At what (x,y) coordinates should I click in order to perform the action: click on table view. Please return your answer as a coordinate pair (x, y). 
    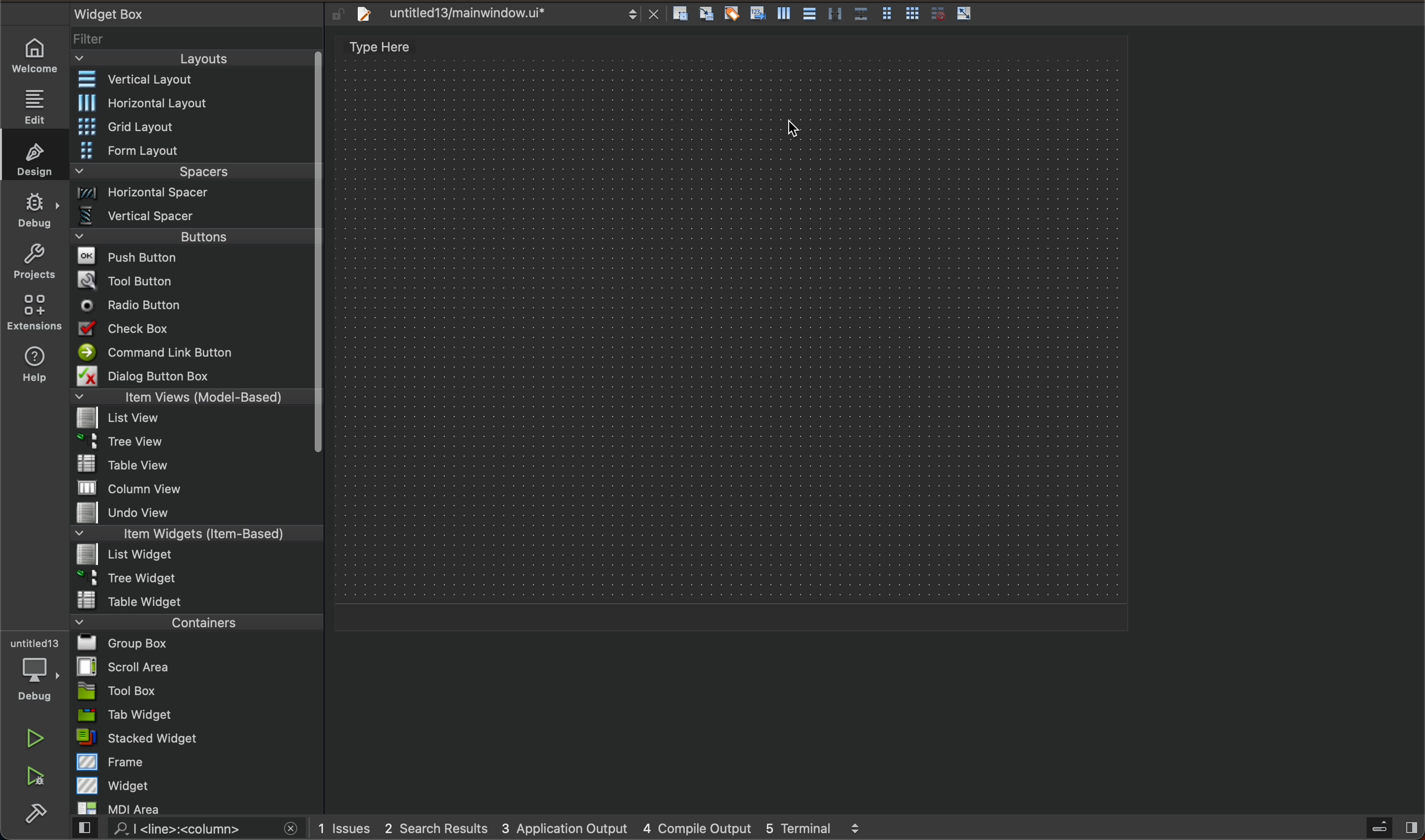
    Looking at the image, I should click on (191, 465).